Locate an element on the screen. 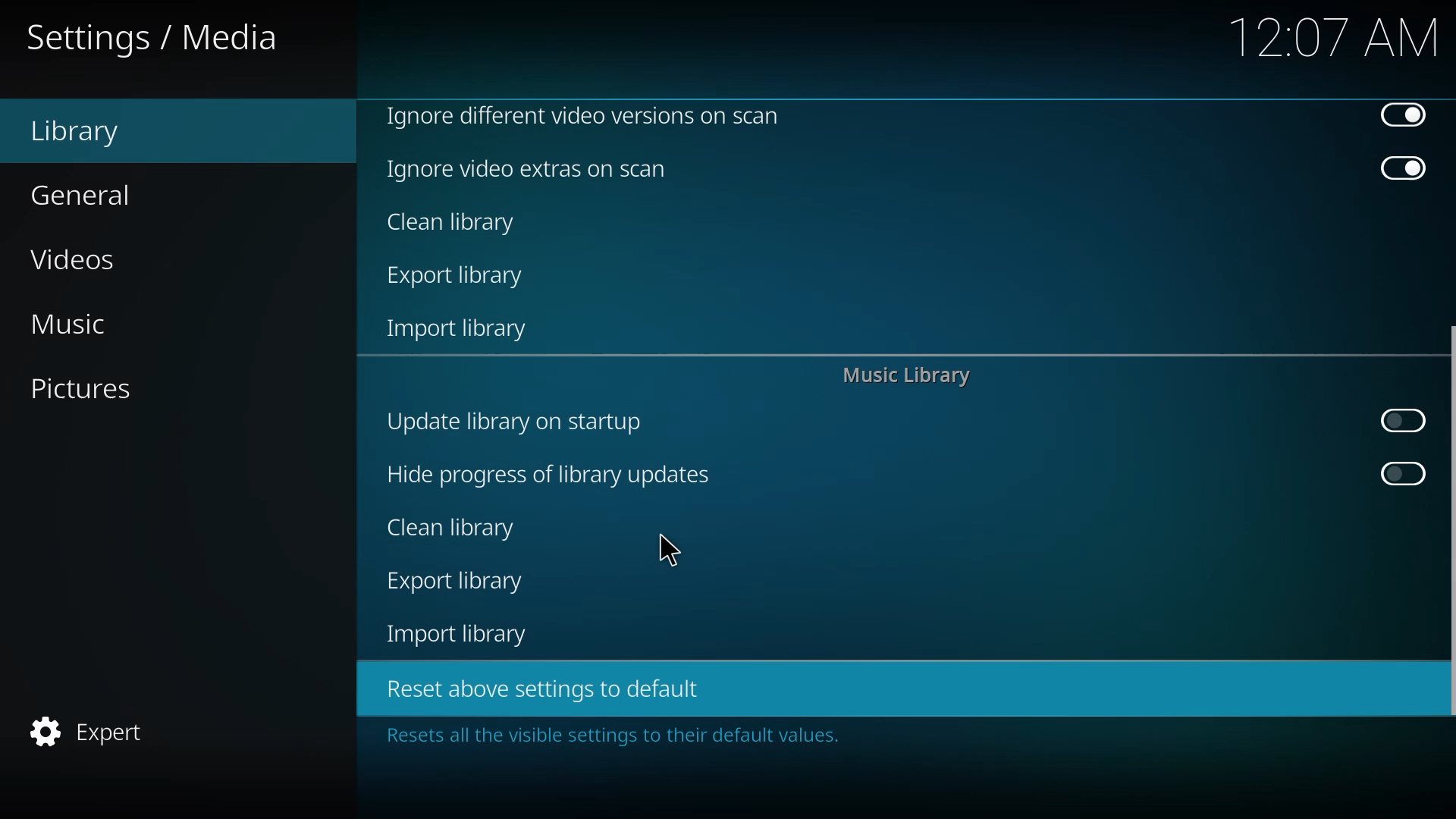 The image size is (1456, 819). import is located at coordinates (460, 634).